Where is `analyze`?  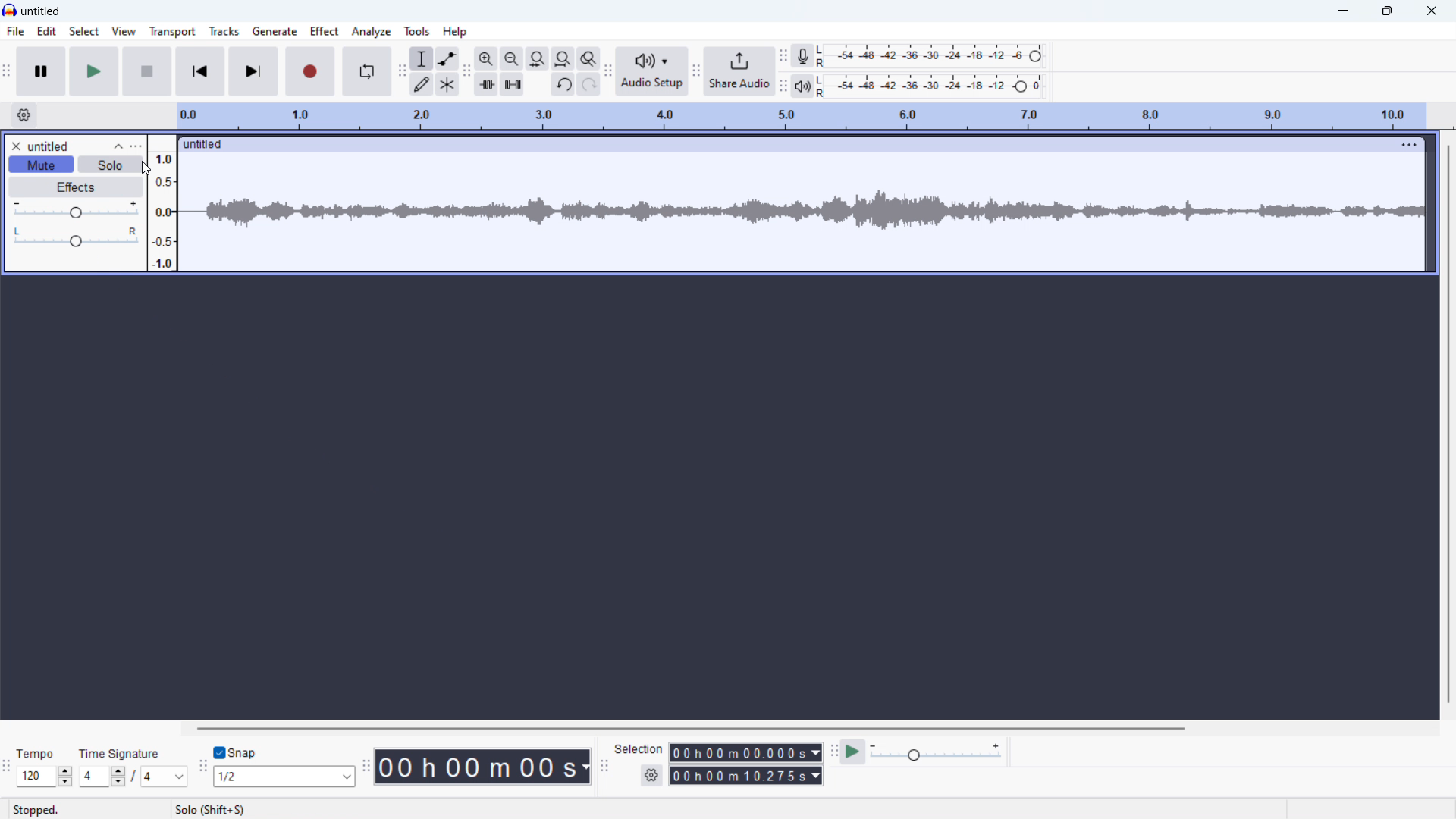
analyze is located at coordinates (372, 31).